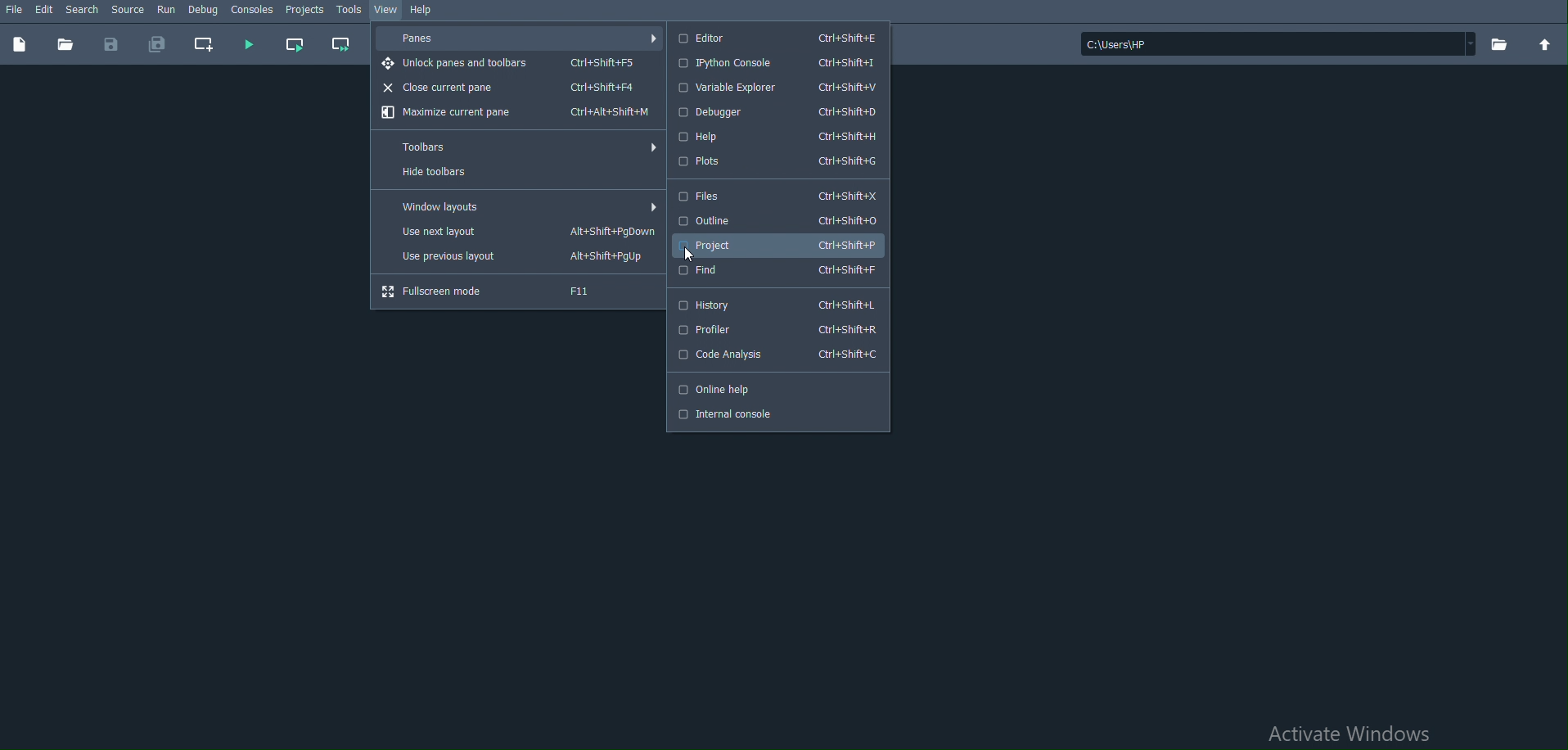 This screenshot has height=750, width=1568. I want to click on Open file, so click(65, 44).